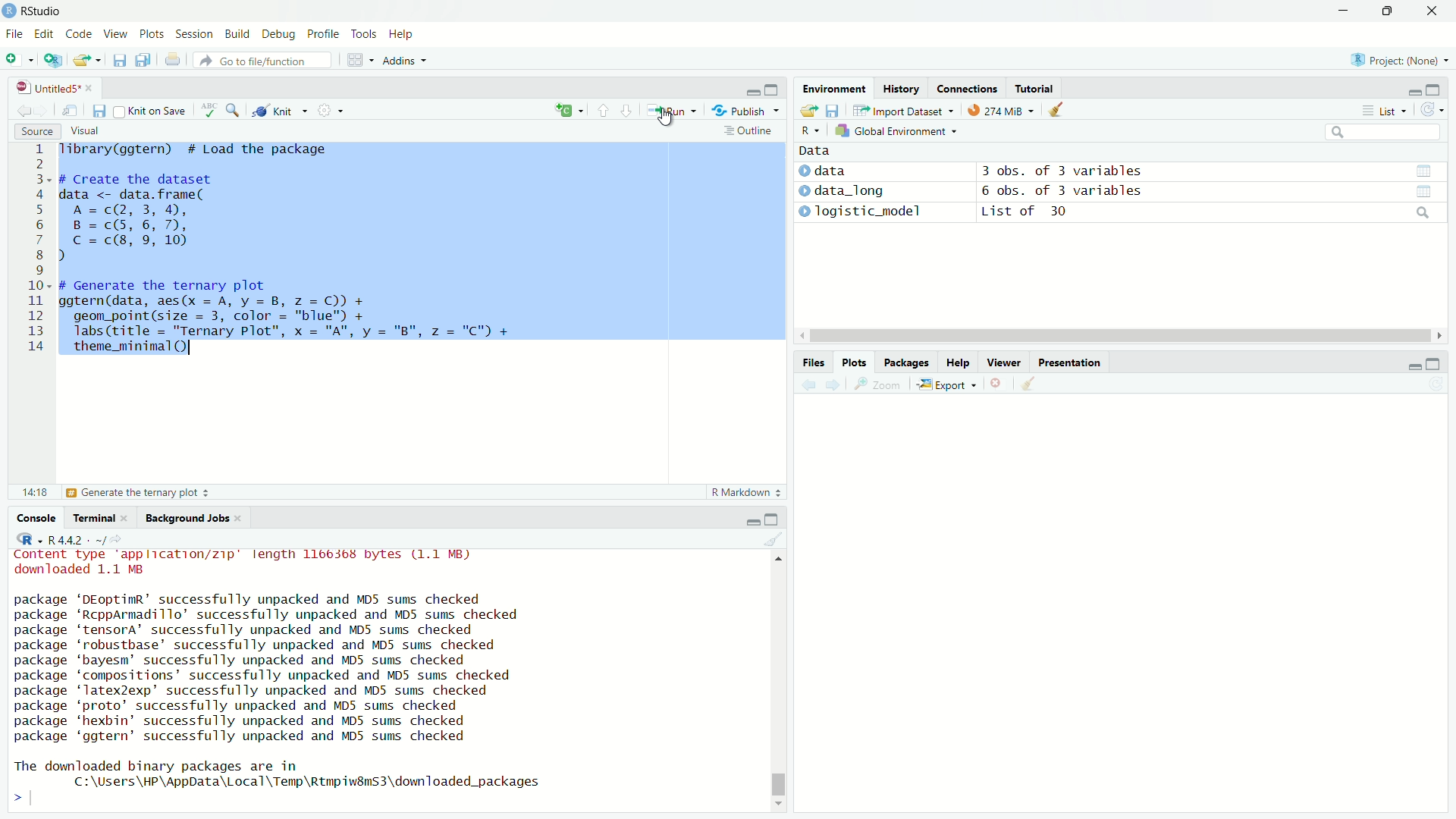 The image size is (1456, 819). Describe the element at coordinates (904, 361) in the screenshot. I see `Packages` at that location.